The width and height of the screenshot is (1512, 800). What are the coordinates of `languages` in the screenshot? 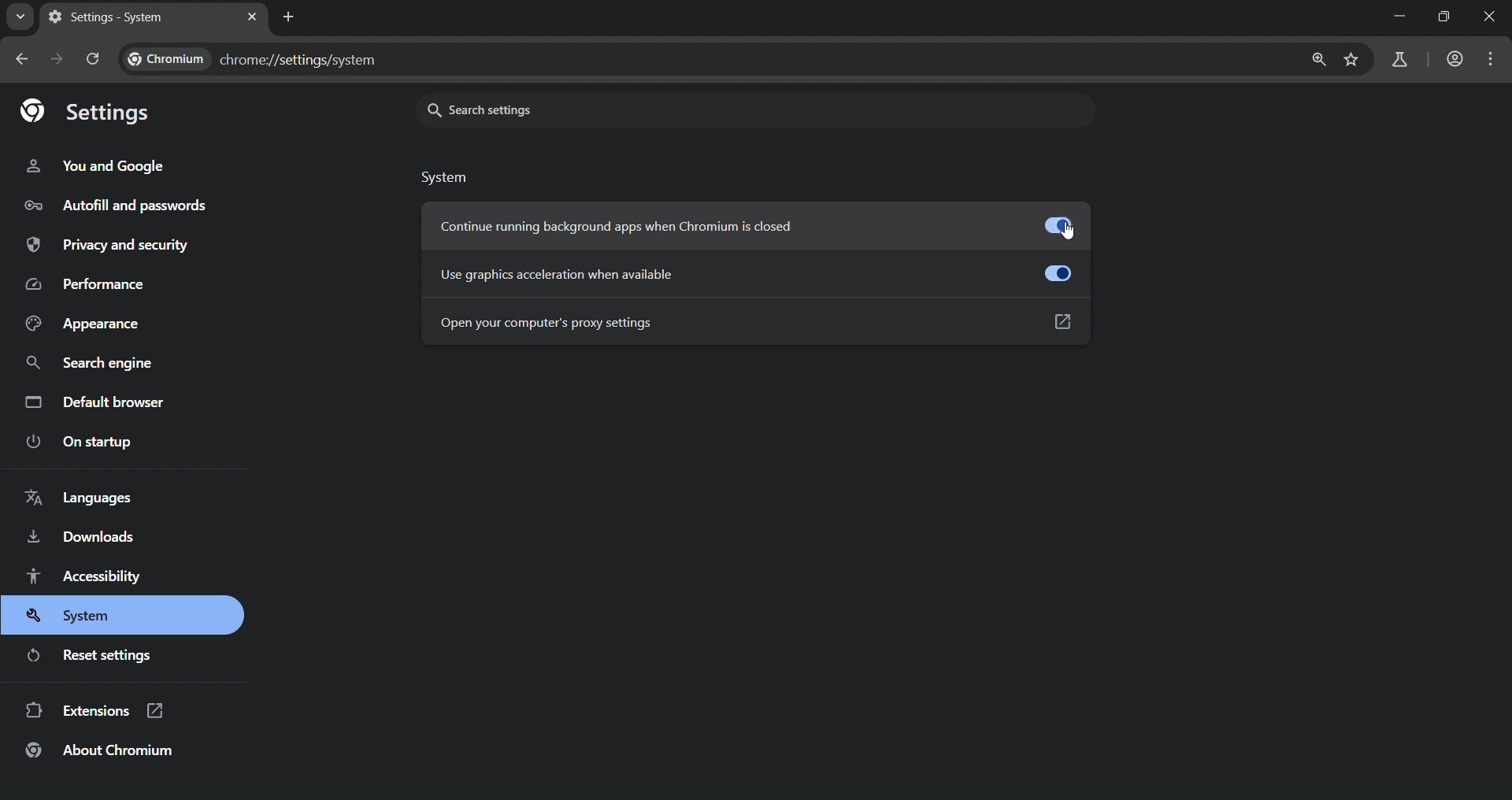 It's located at (80, 498).